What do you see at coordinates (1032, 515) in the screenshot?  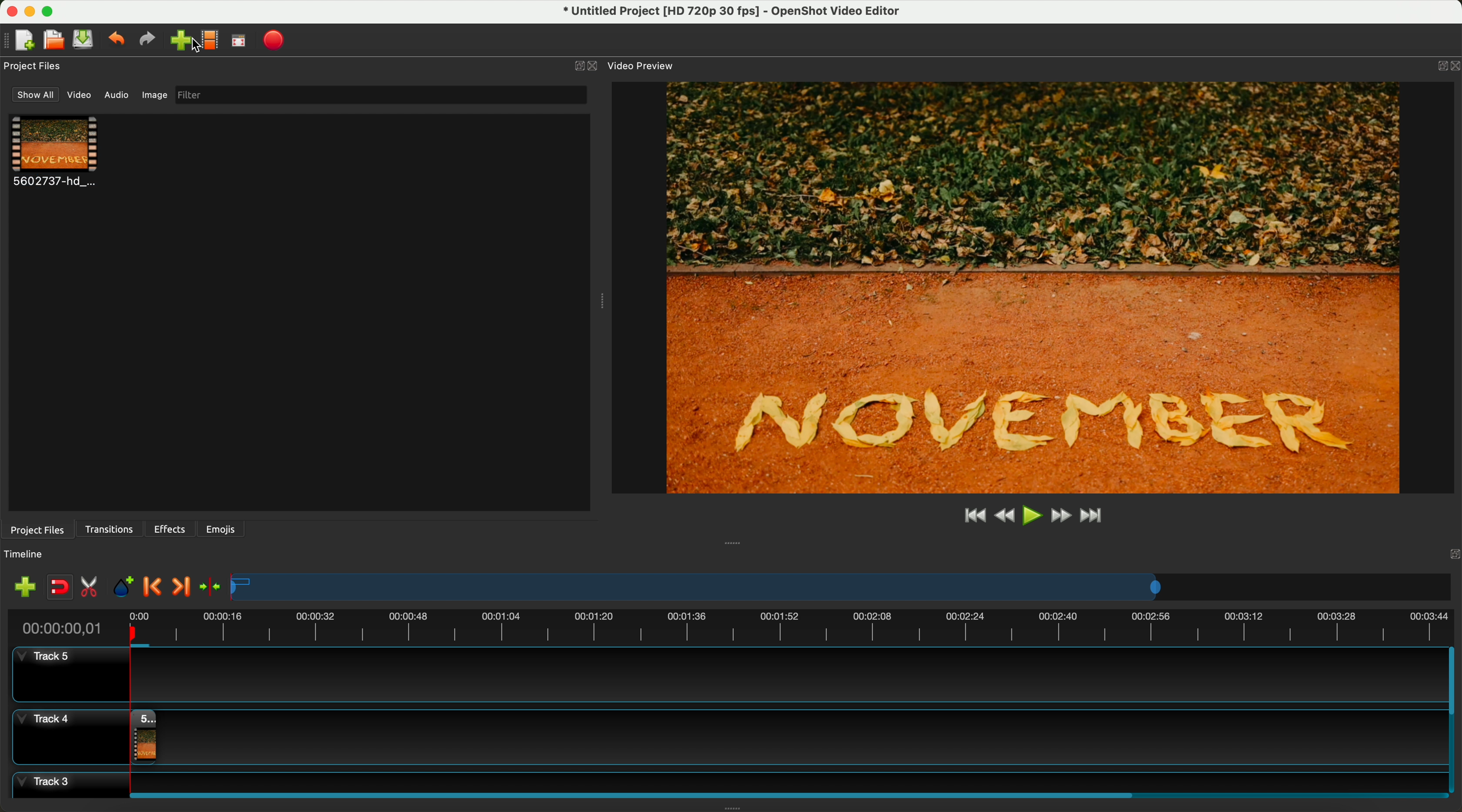 I see `play` at bounding box center [1032, 515].